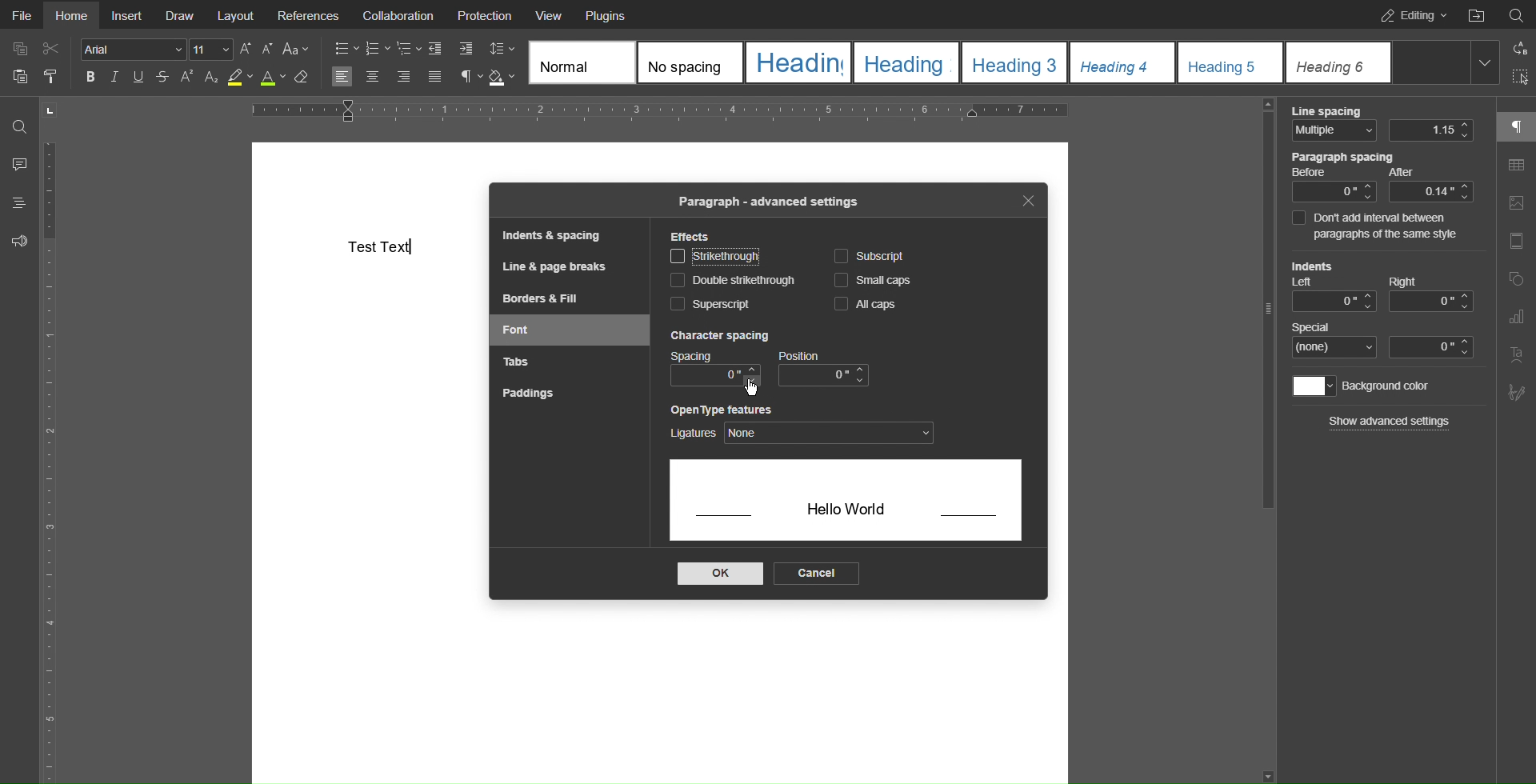  Describe the element at coordinates (501, 47) in the screenshot. I see `Line Spacing` at that location.